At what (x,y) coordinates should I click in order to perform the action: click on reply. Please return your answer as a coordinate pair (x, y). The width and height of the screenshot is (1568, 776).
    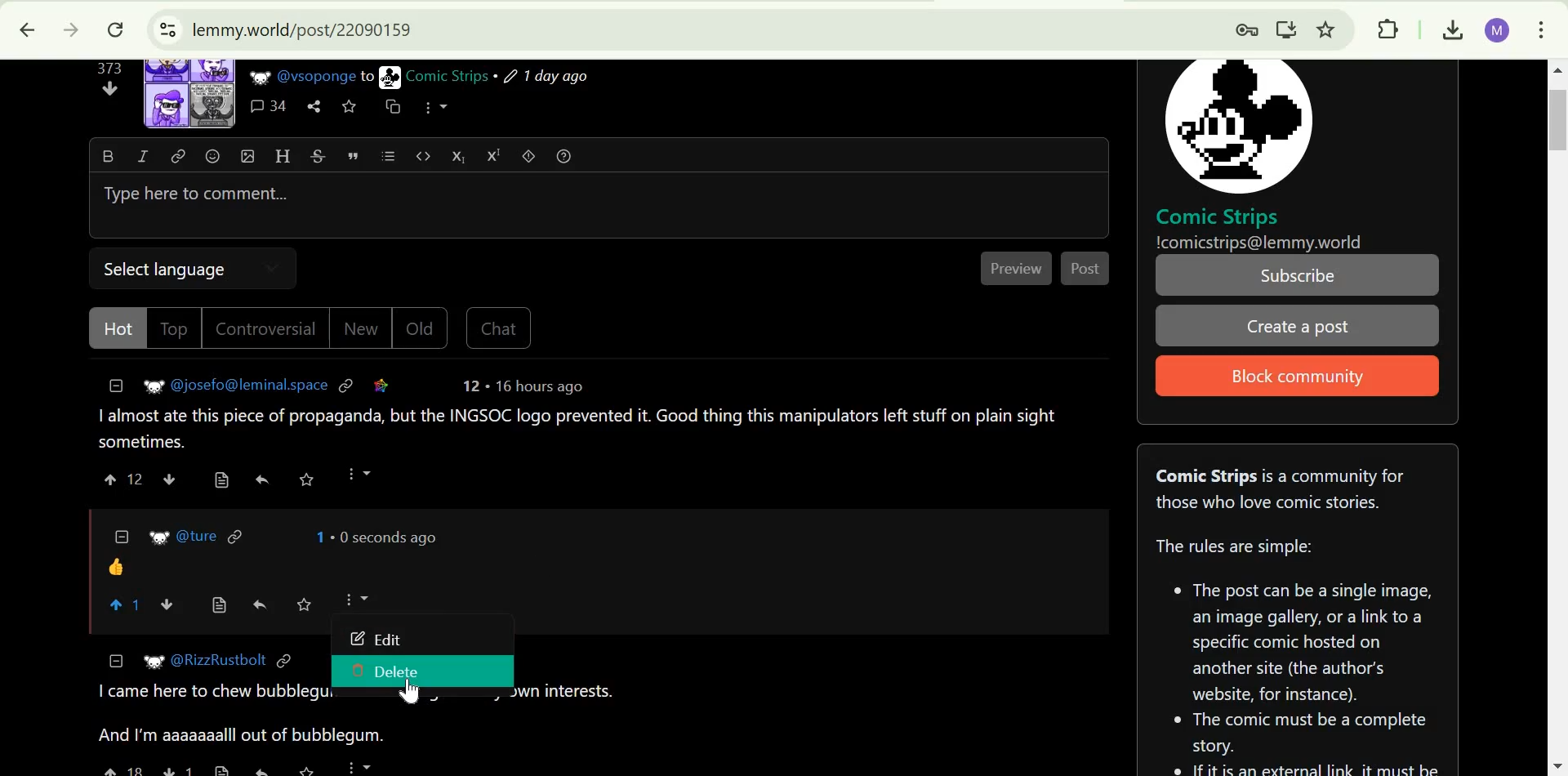
    Looking at the image, I should click on (260, 605).